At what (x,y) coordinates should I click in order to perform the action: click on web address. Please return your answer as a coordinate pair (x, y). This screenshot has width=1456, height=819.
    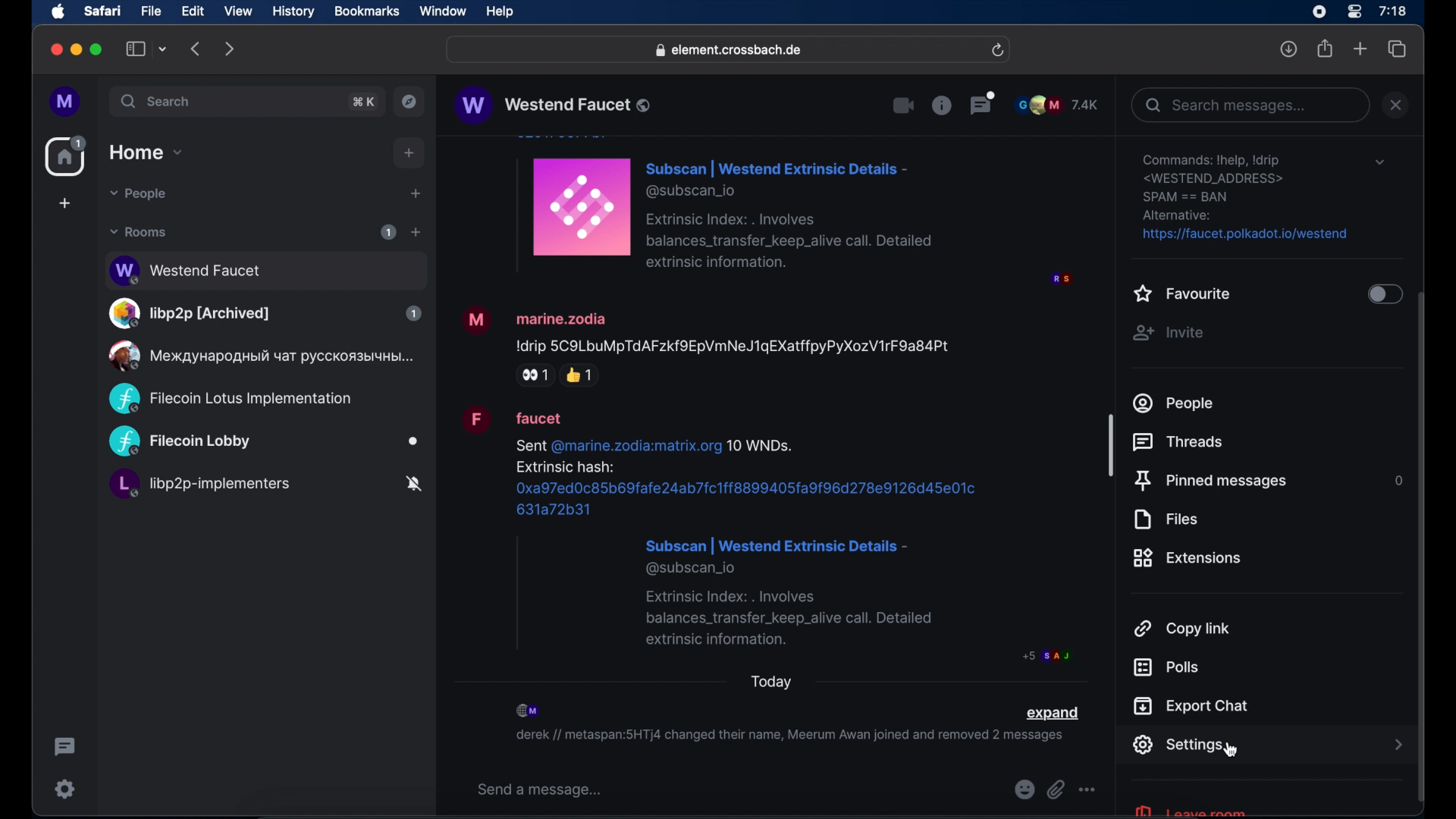
    Looking at the image, I should click on (730, 51).